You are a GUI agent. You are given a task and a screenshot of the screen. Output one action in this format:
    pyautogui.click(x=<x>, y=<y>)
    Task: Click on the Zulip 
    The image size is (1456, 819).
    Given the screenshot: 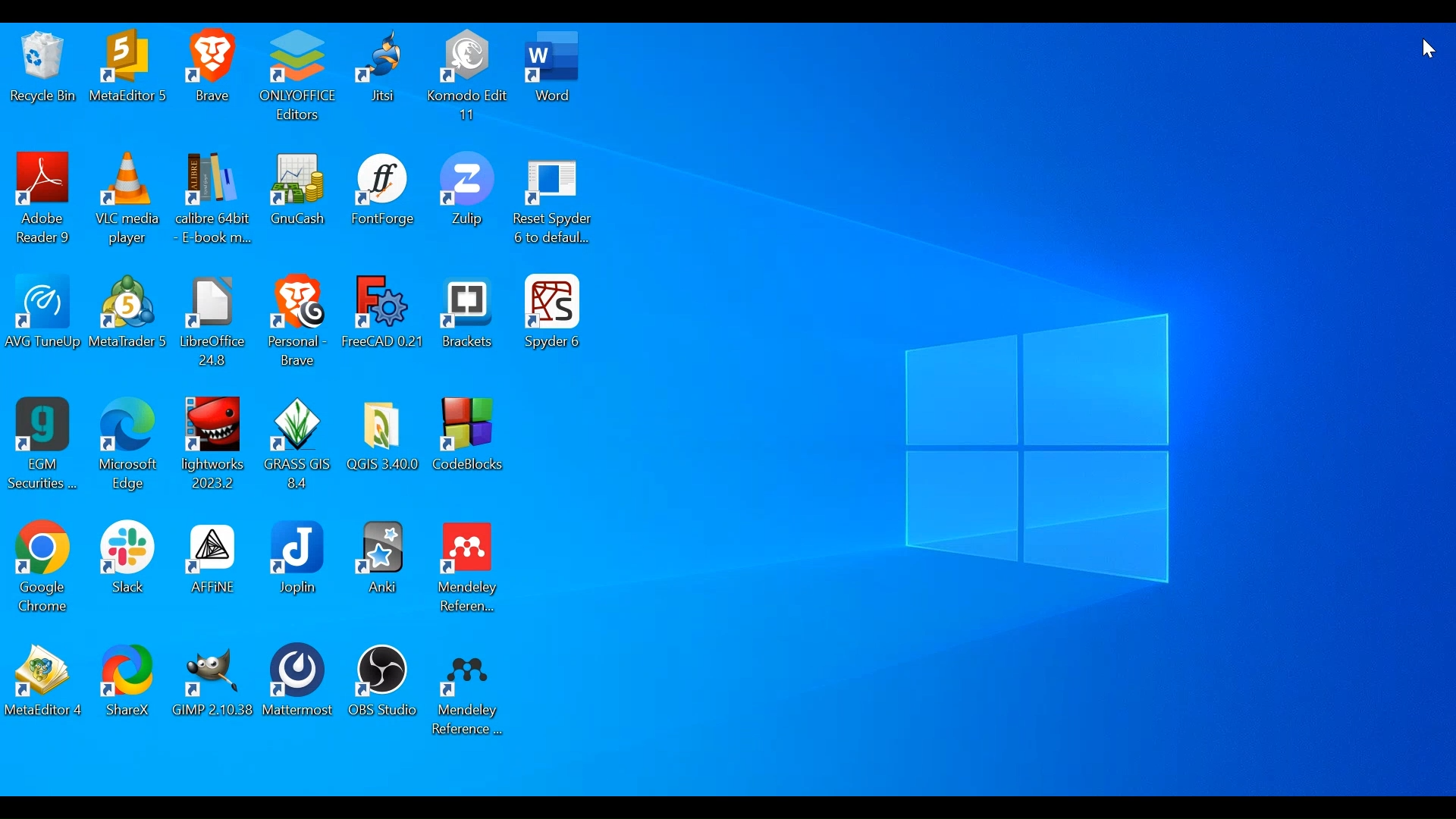 What is the action you would take?
    pyautogui.click(x=467, y=201)
    